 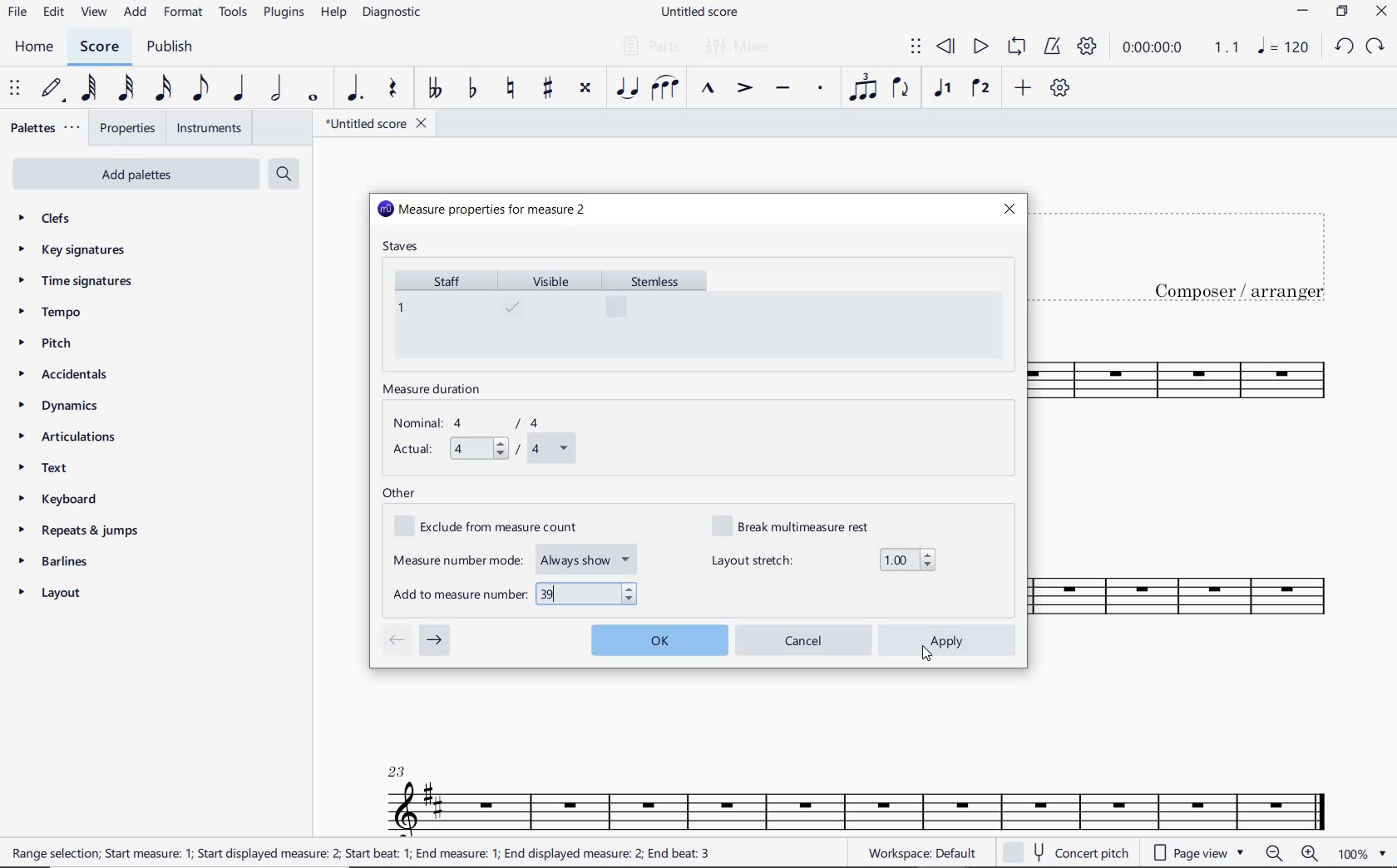 I want to click on LAYOUT, so click(x=53, y=596).